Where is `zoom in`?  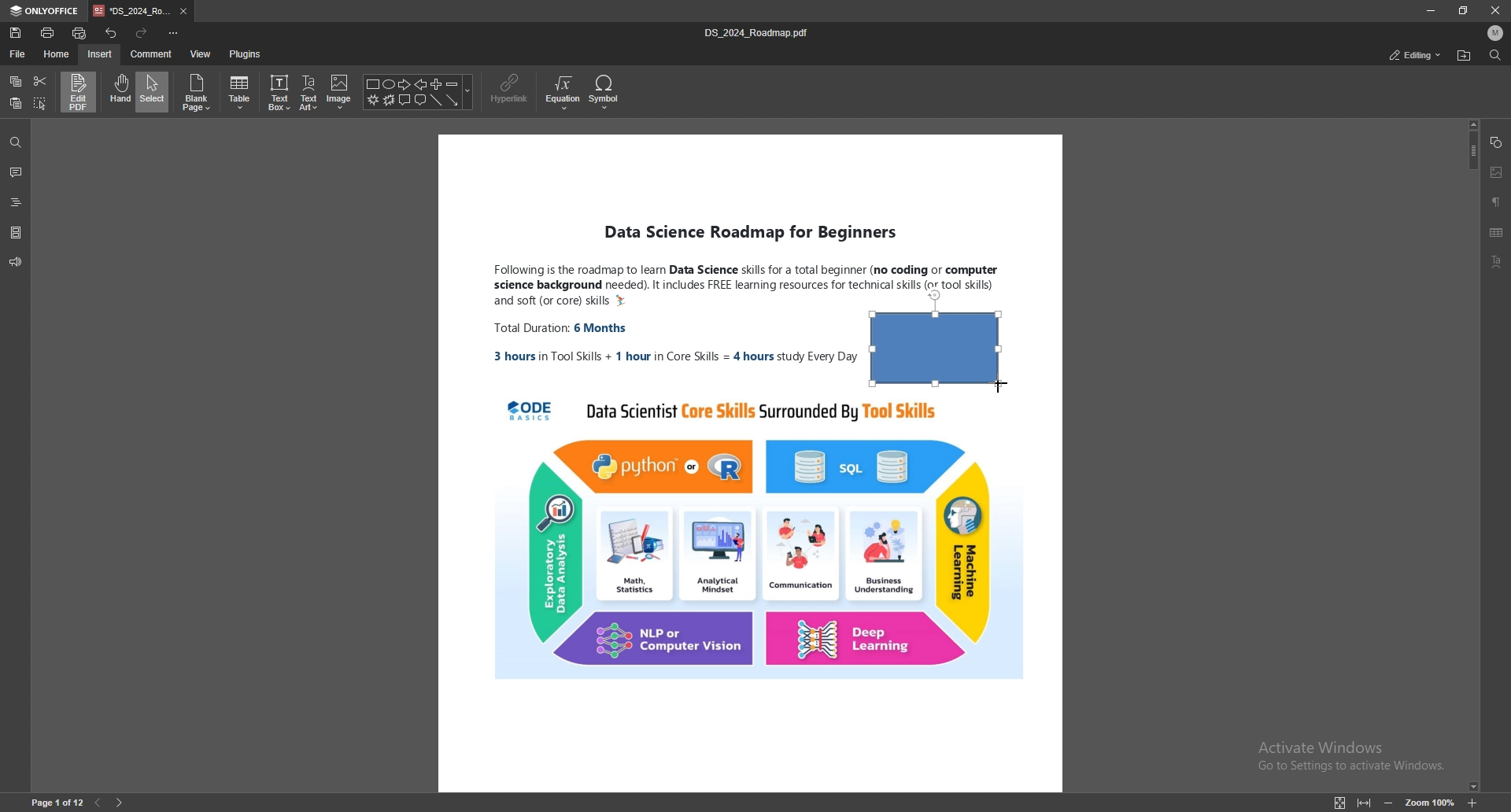 zoom in is located at coordinates (1472, 803).